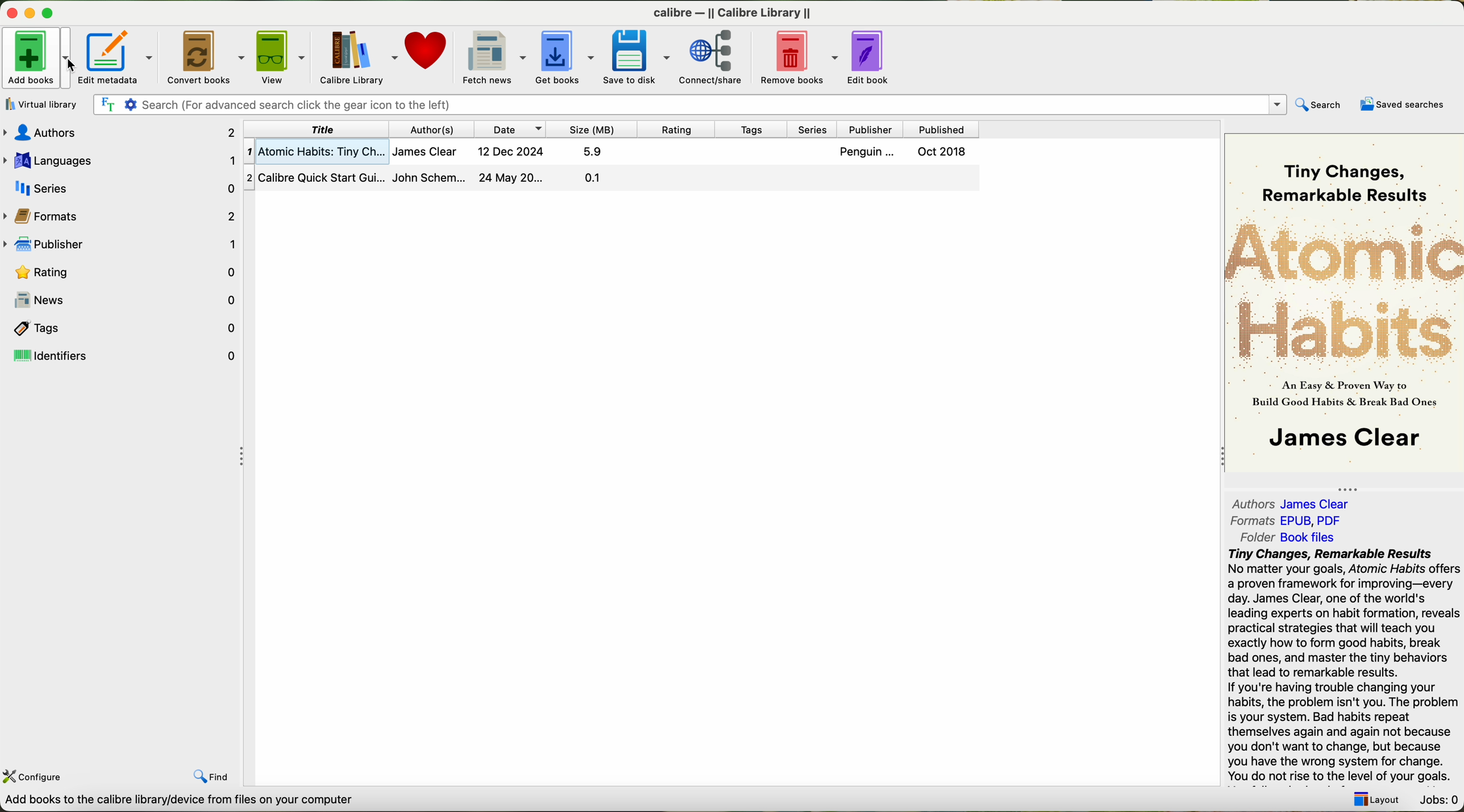  I want to click on edit book, so click(871, 60).